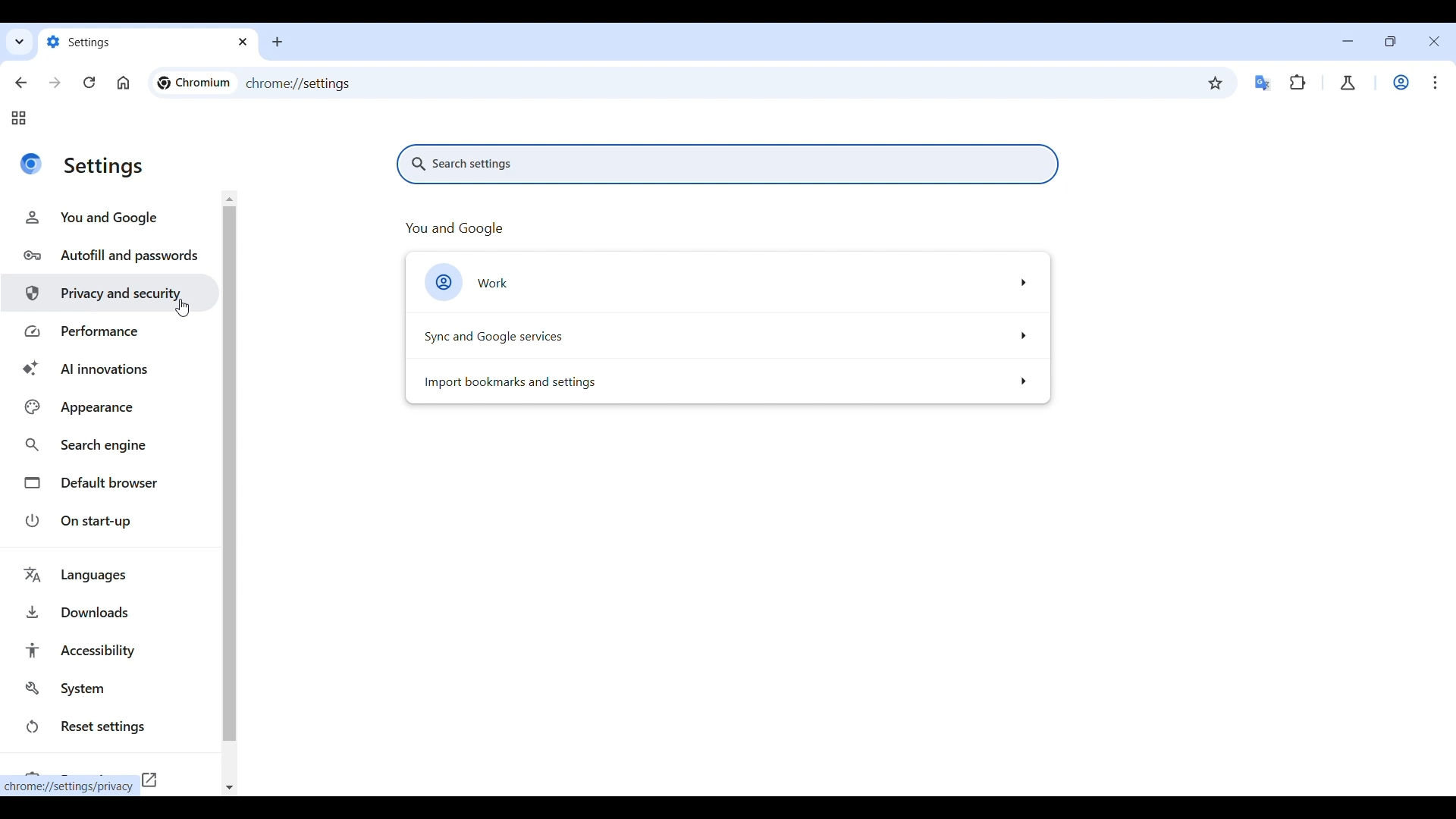  What do you see at coordinates (109, 483) in the screenshot?
I see `Default browser` at bounding box center [109, 483].